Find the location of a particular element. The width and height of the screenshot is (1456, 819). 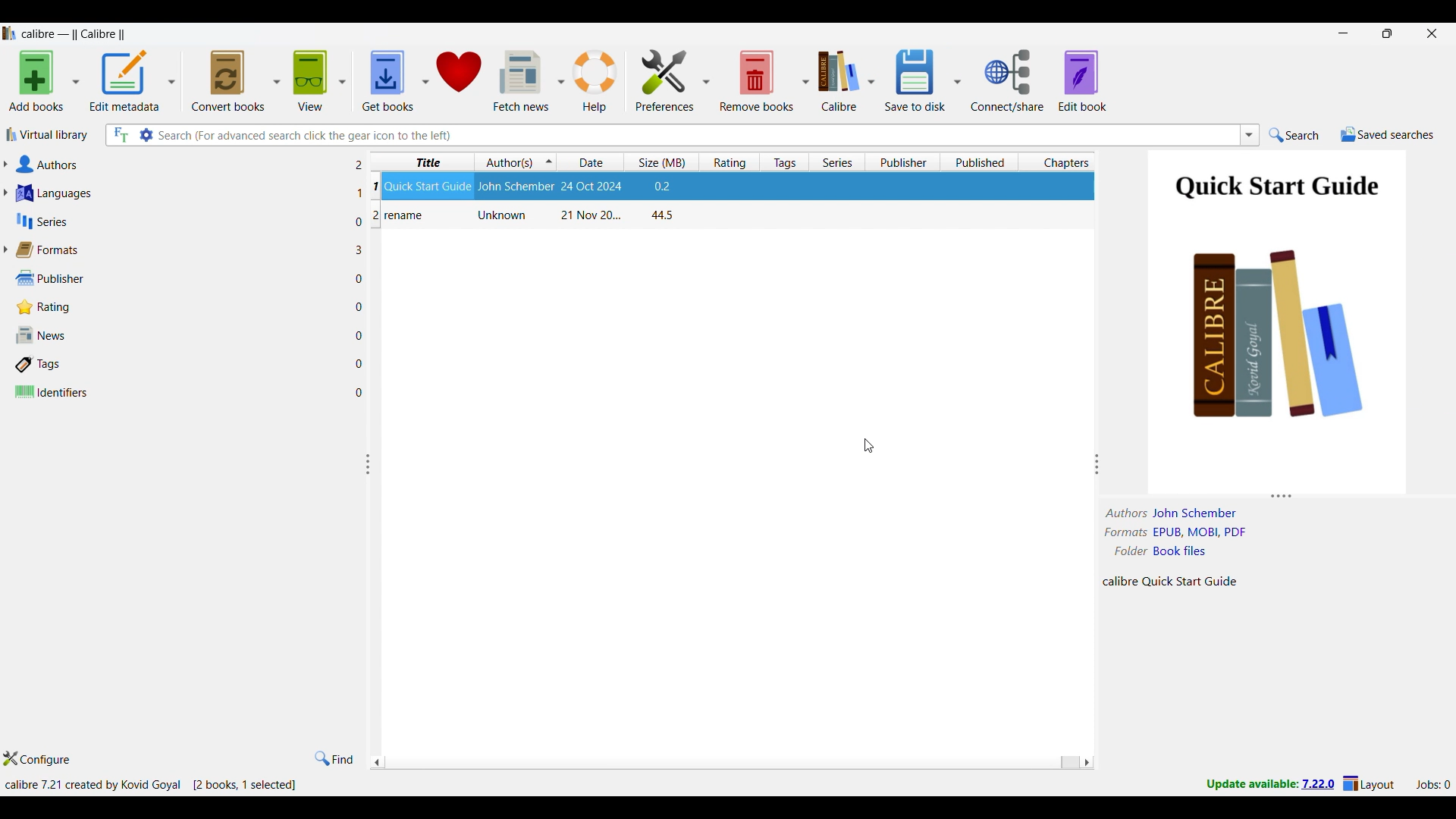

Add book options is located at coordinates (45, 80).